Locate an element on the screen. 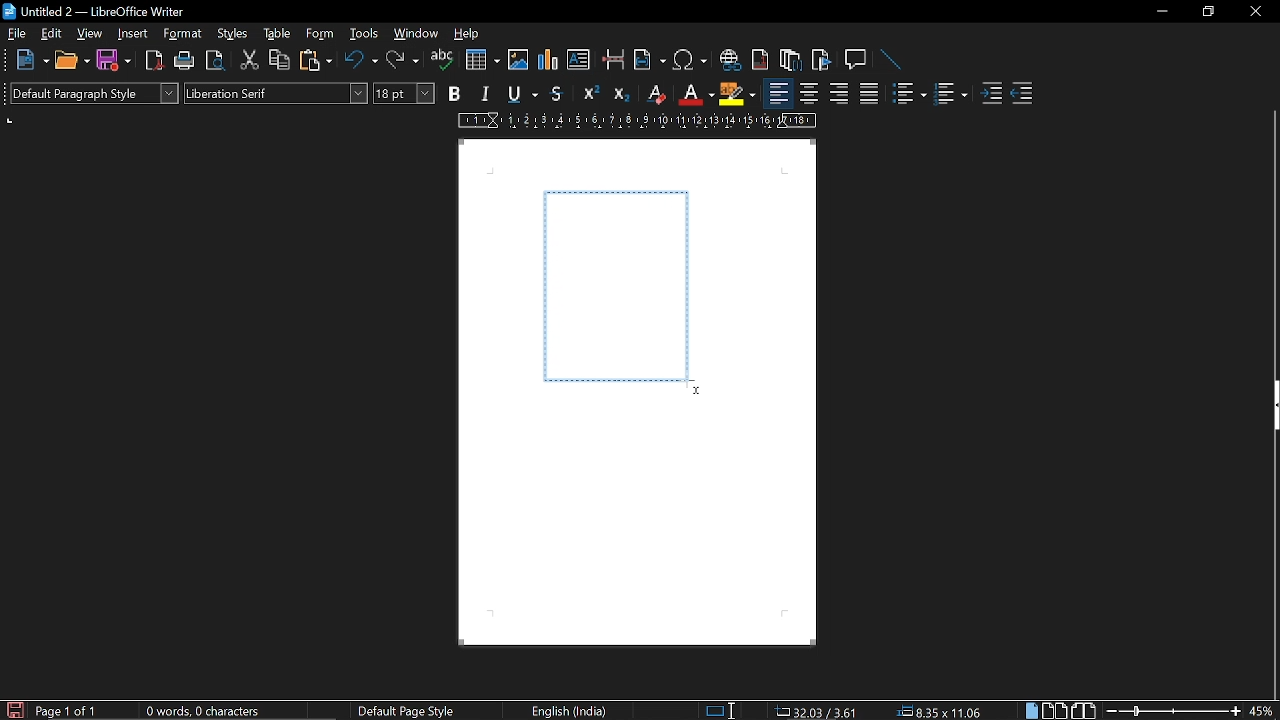 The image size is (1280, 720). align right is located at coordinates (837, 95).